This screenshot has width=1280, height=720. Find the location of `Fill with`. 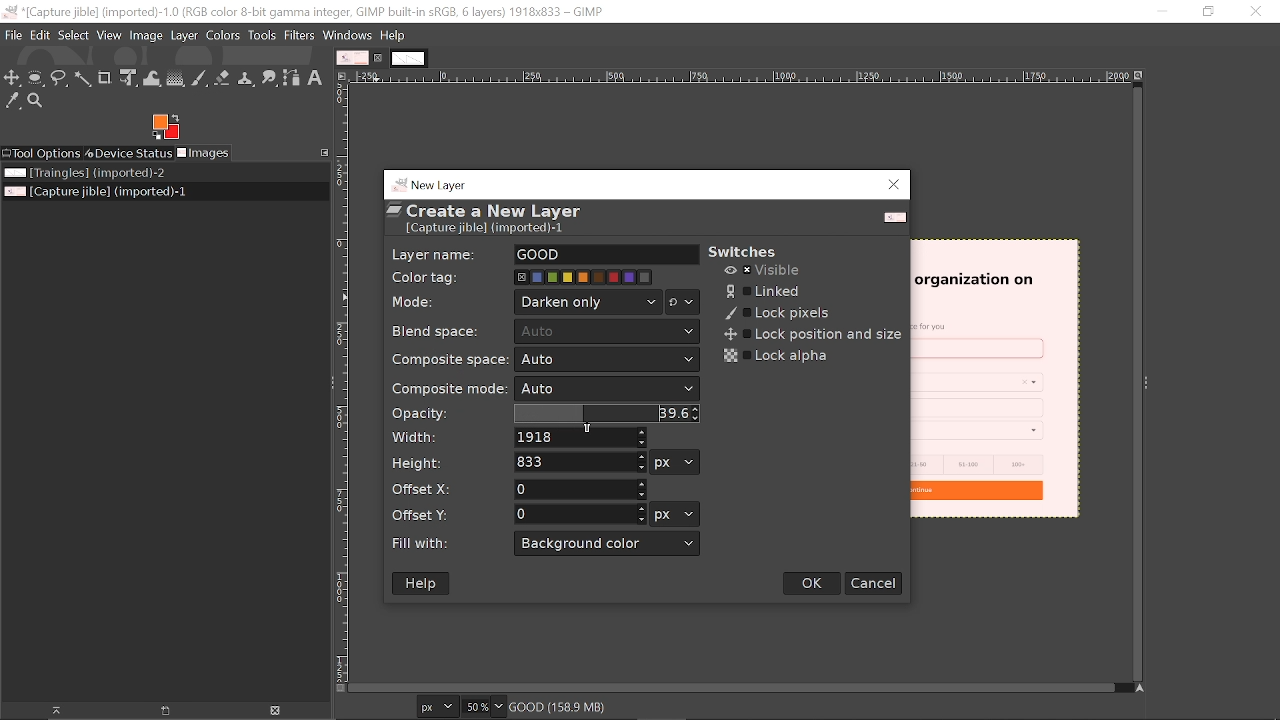

Fill with is located at coordinates (608, 544).